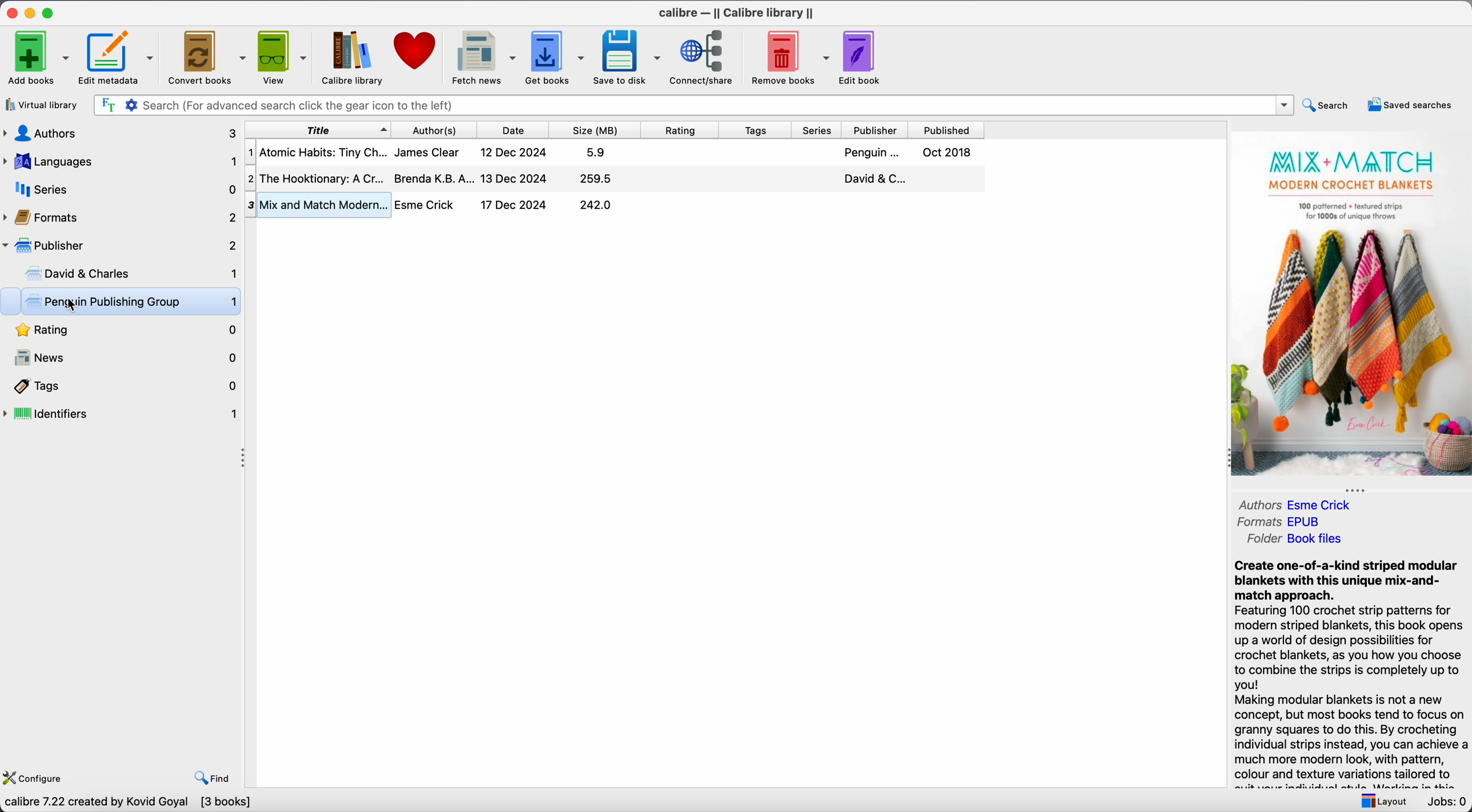  I want to click on configure, so click(38, 776).